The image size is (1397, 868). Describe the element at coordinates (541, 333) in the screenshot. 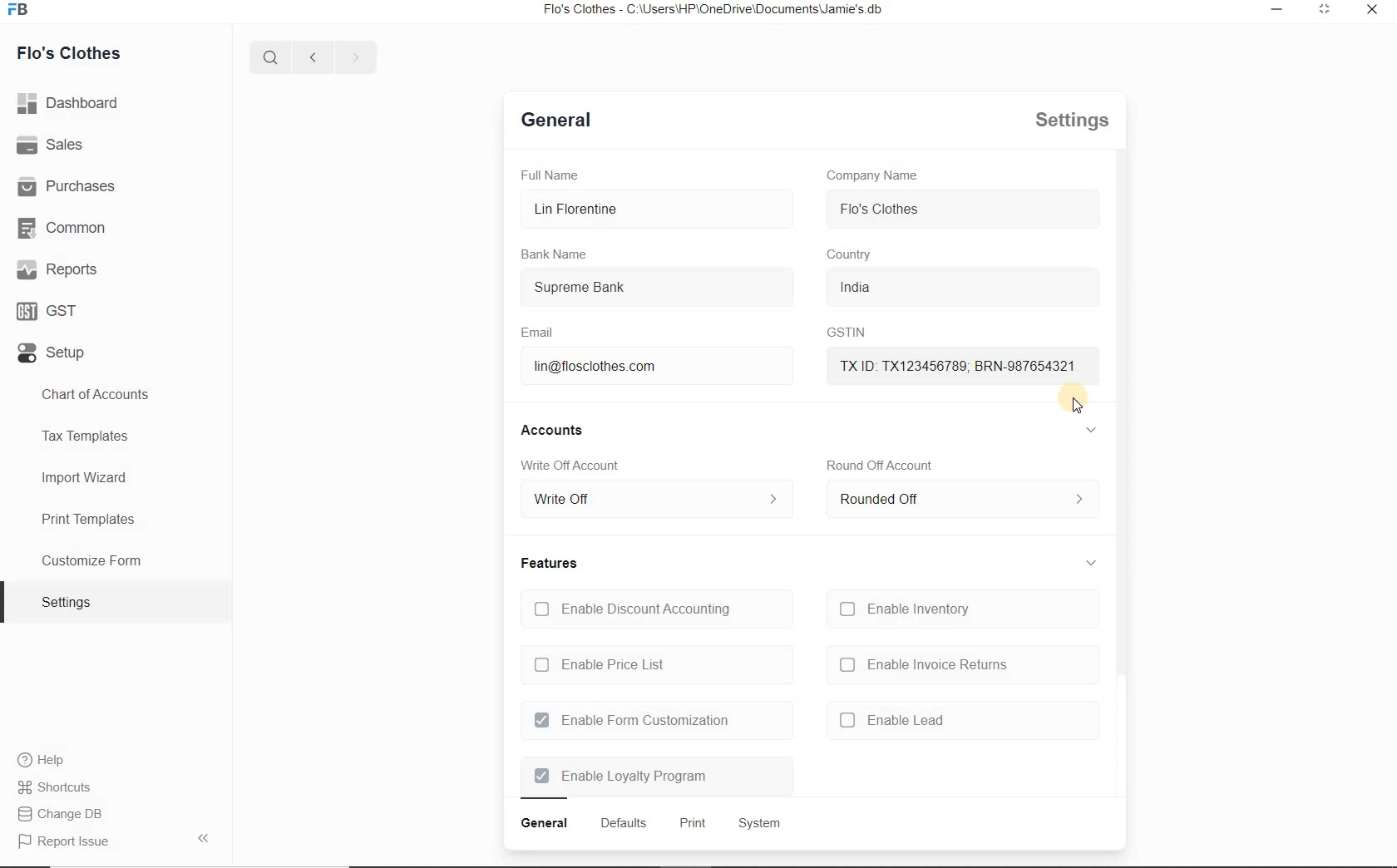

I see `Email` at that location.